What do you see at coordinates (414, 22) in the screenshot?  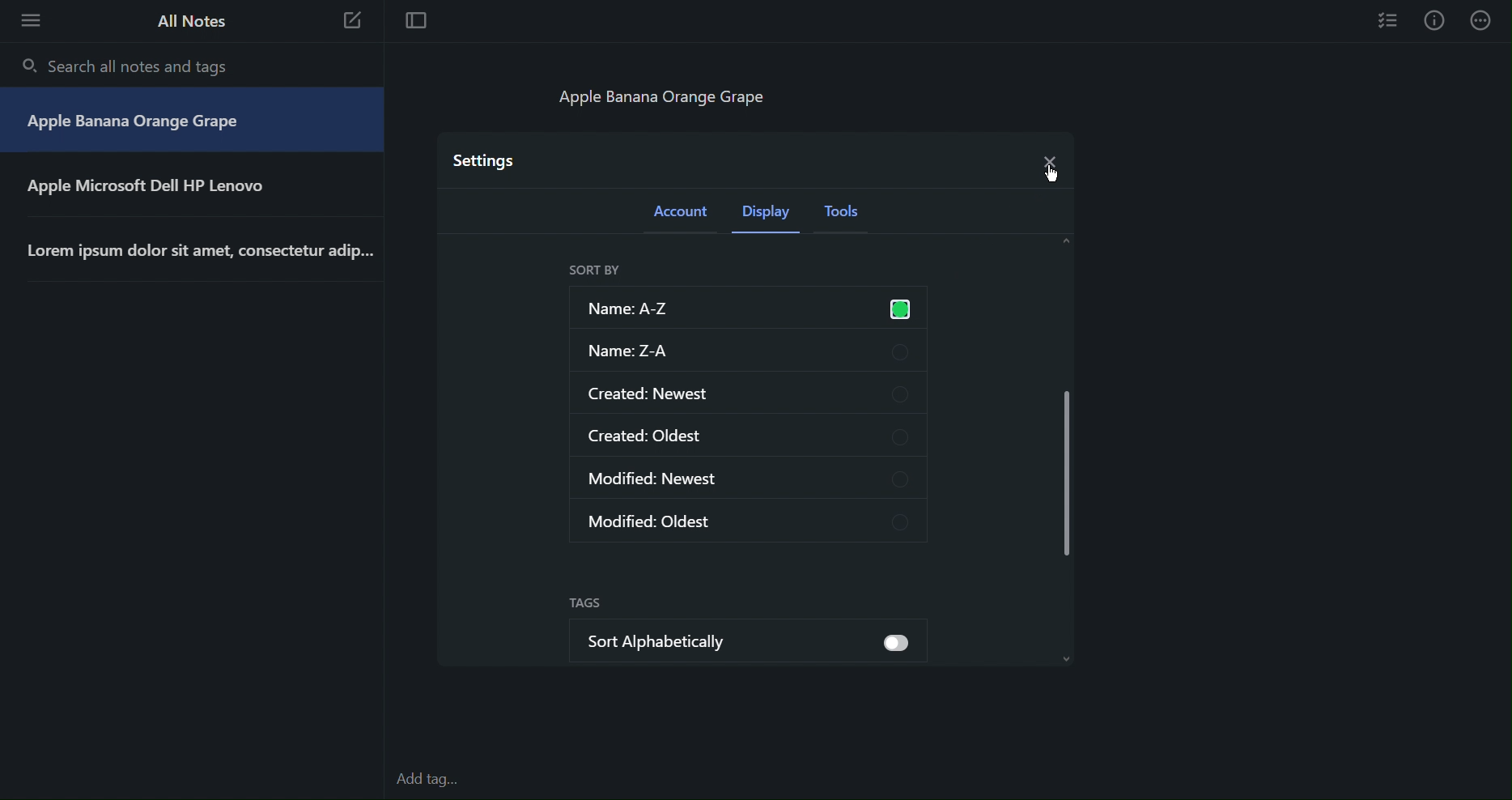 I see `Focus Mode` at bounding box center [414, 22].